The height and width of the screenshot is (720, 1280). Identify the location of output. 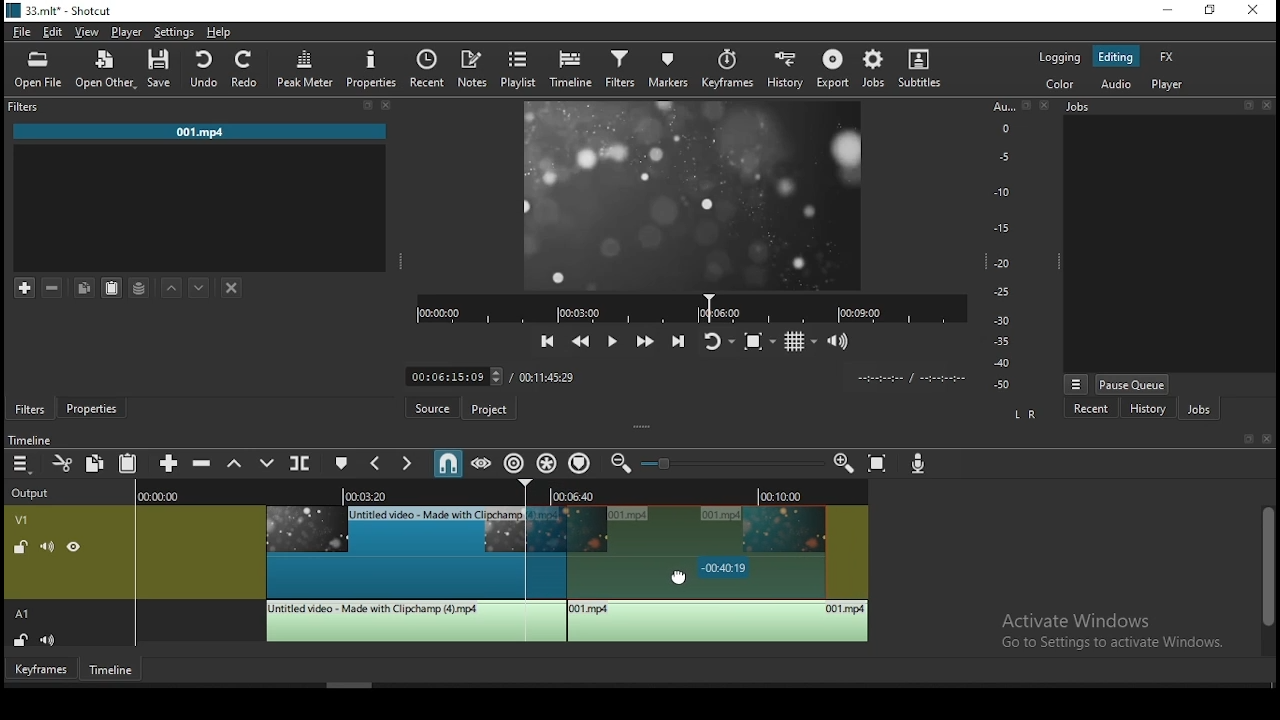
(35, 491).